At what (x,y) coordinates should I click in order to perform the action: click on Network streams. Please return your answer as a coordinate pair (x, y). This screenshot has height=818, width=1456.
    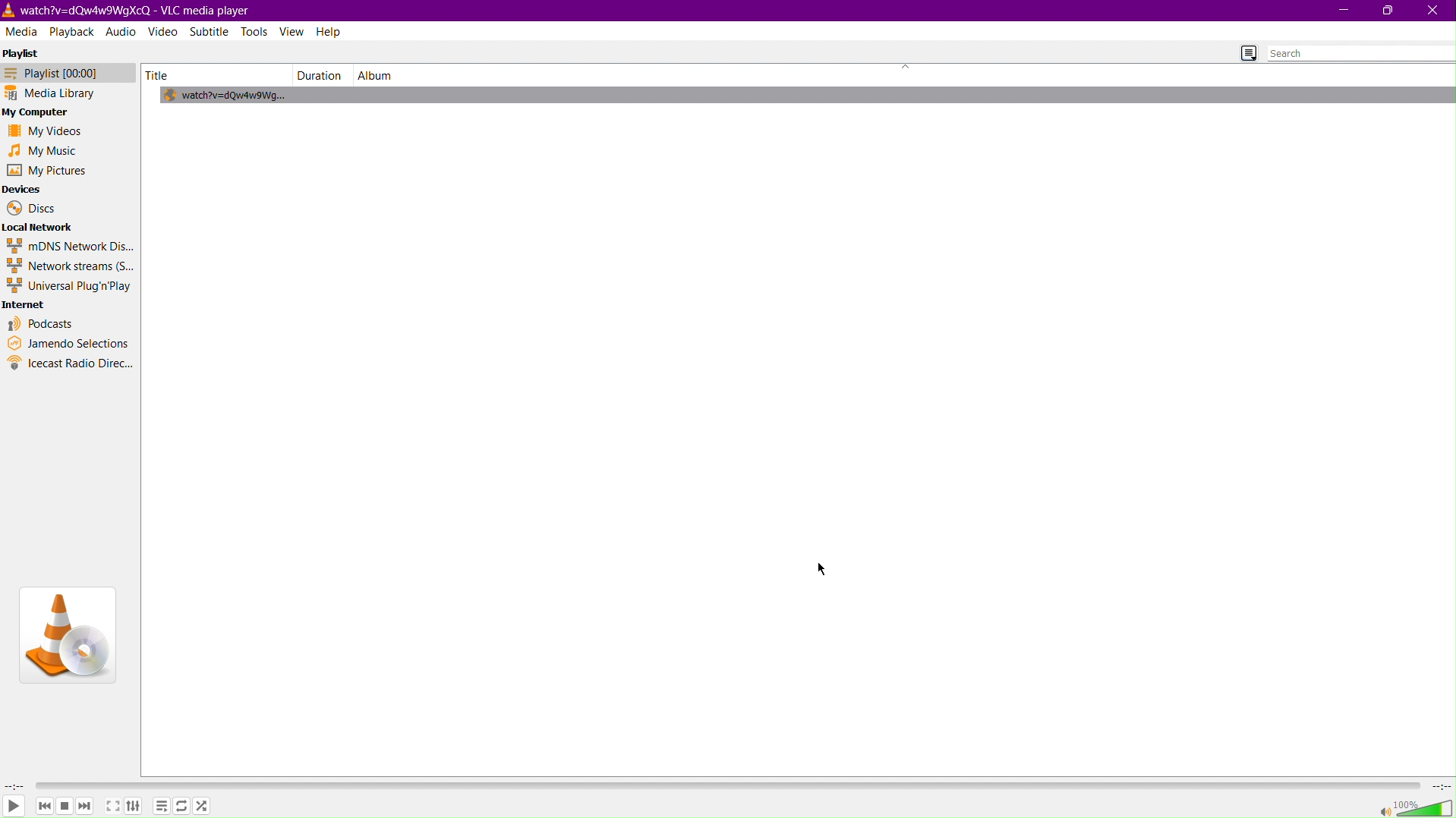
    Looking at the image, I should click on (71, 267).